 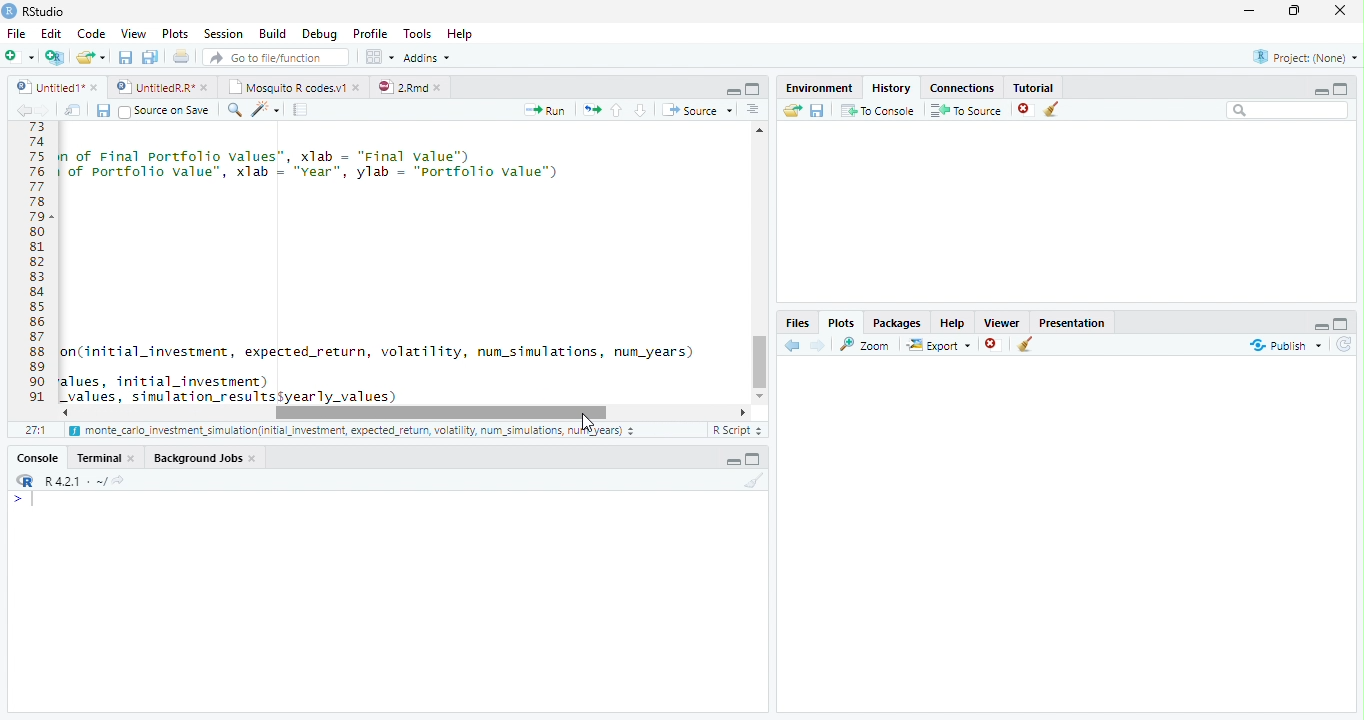 I want to click on Tutorial, so click(x=1030, y=85).